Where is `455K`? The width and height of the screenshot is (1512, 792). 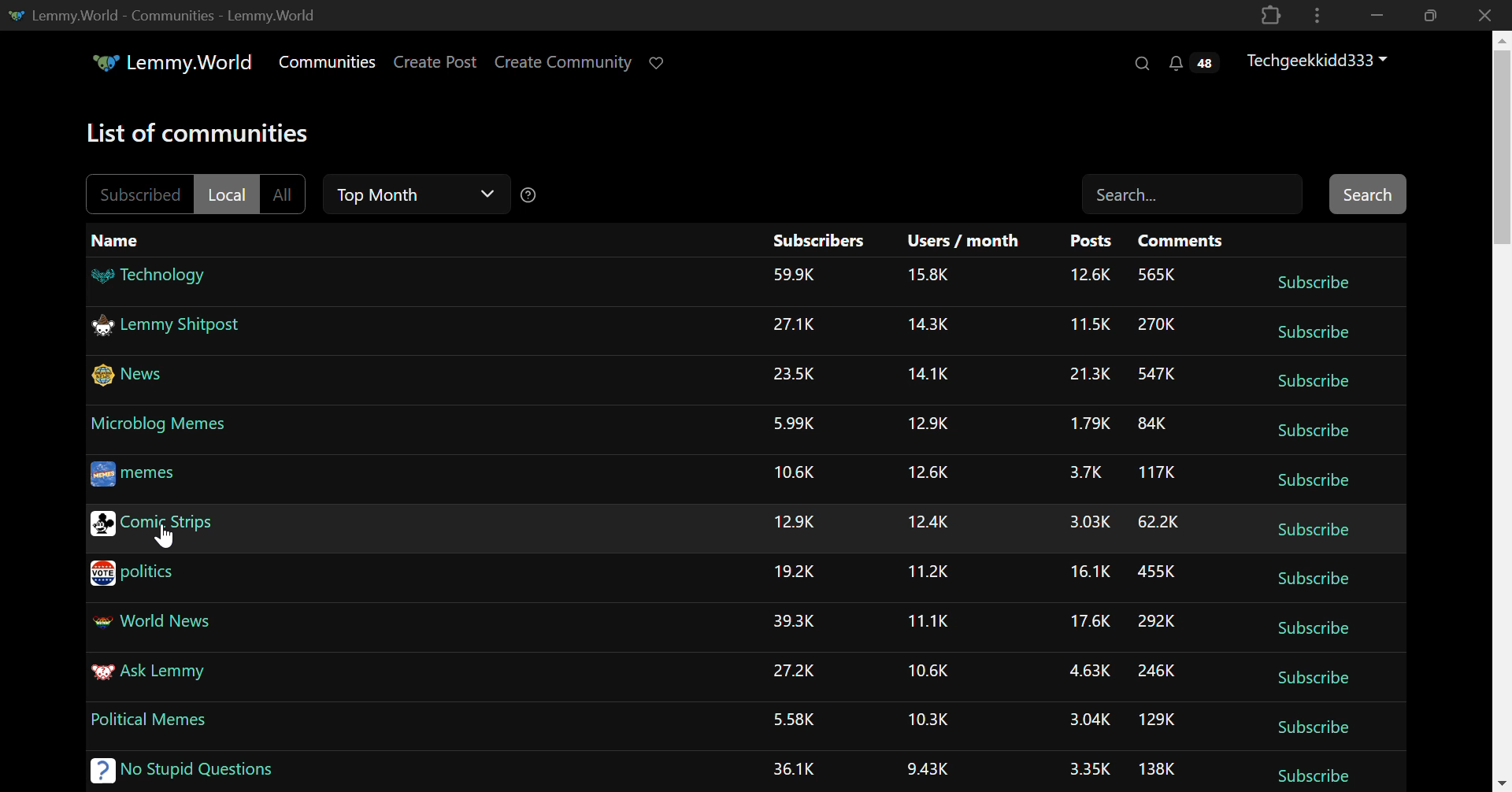 455K is located at coordinates (1157, 572).